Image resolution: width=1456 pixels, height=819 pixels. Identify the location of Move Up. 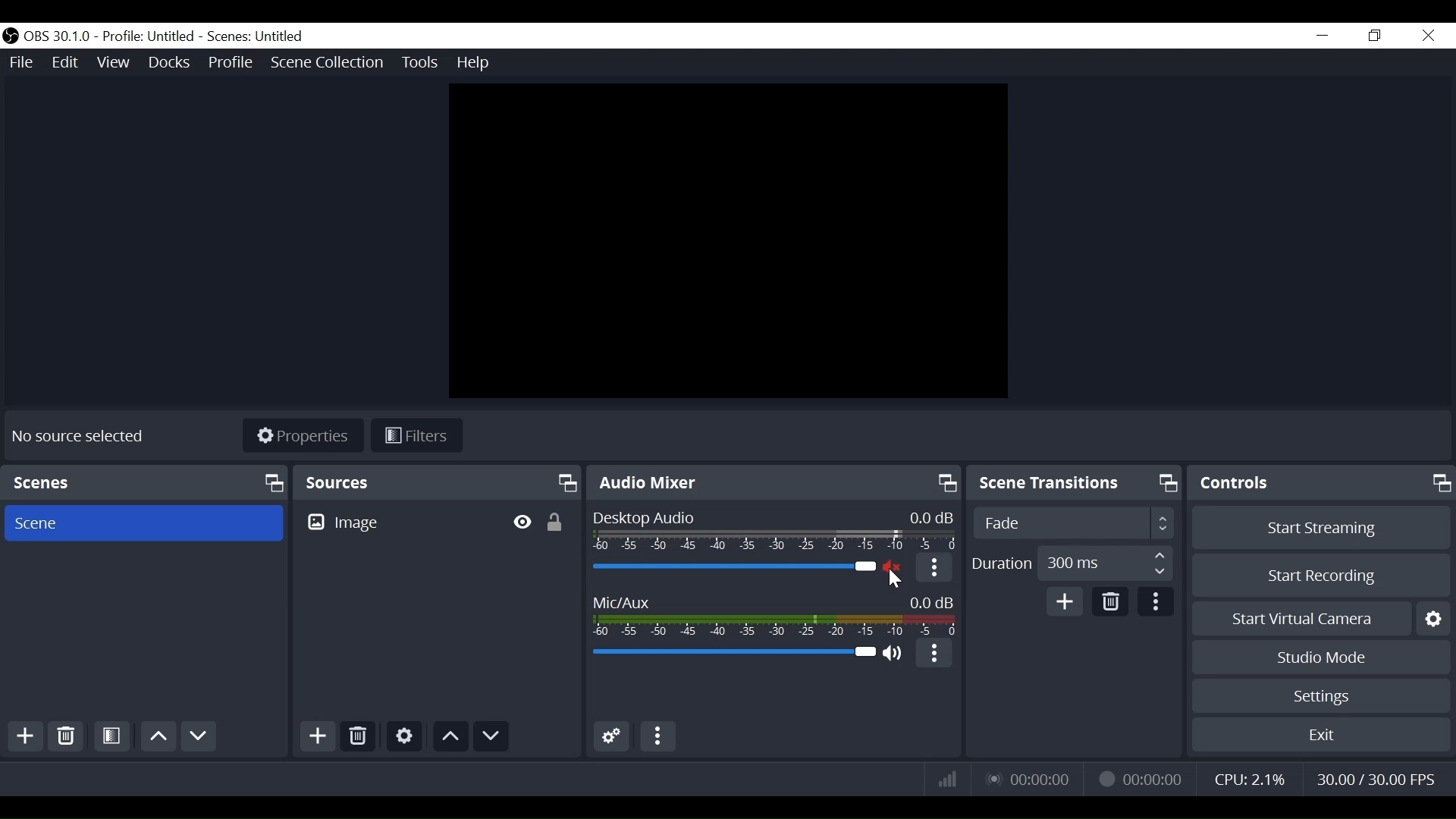
(451, 735).